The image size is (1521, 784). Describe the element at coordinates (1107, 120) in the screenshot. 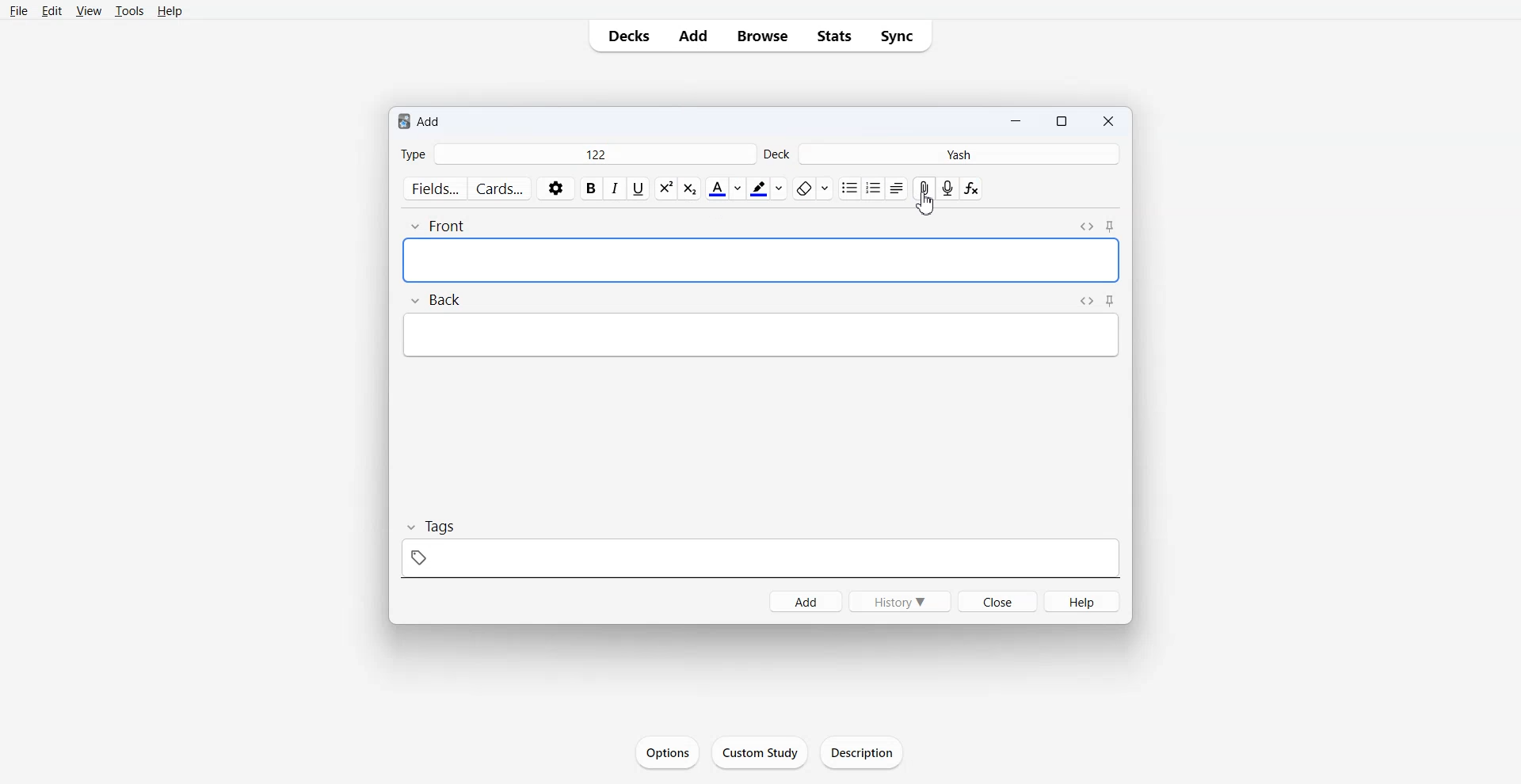

I see `Close` at that location.